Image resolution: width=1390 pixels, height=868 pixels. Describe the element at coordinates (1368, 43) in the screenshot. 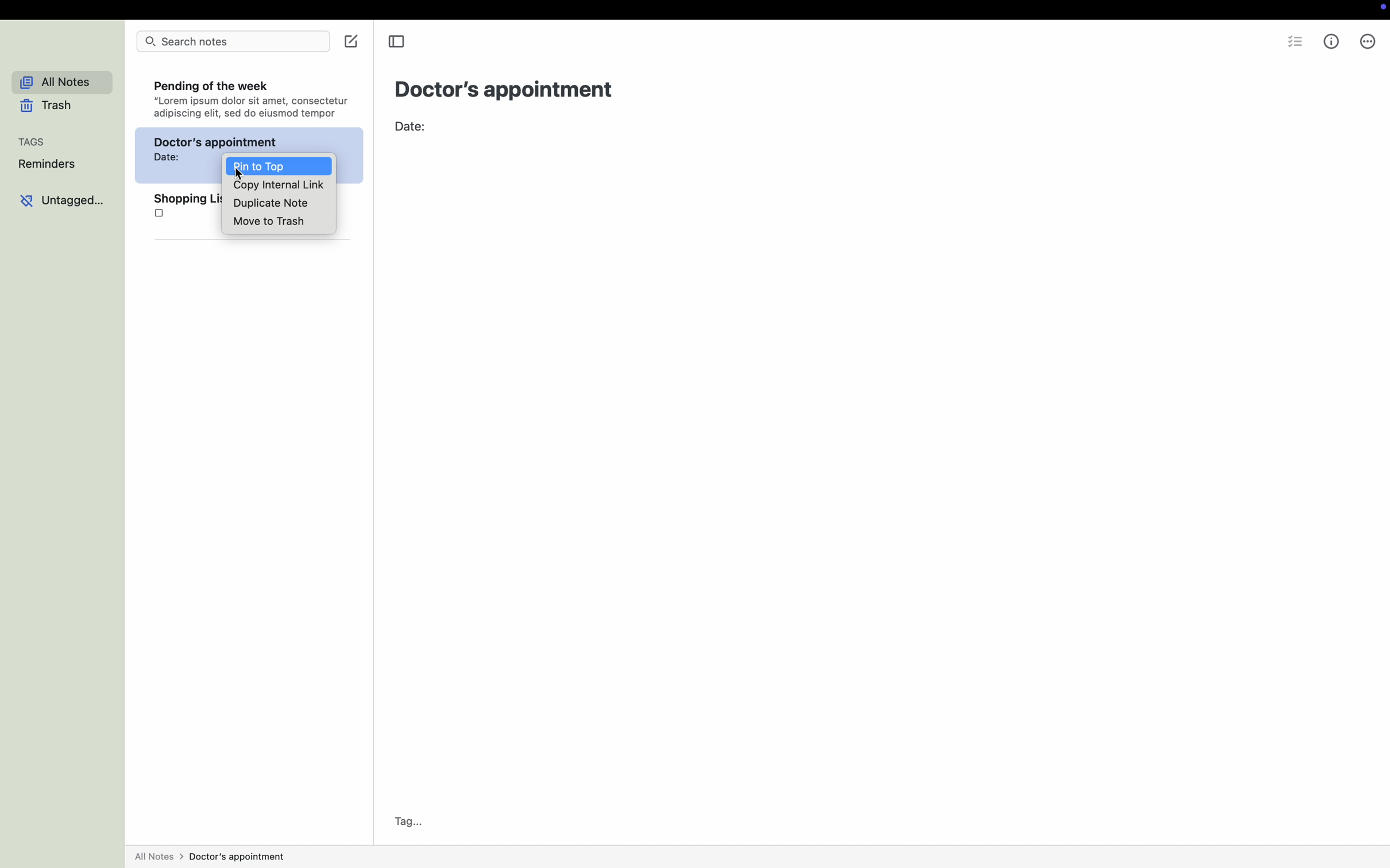

I see `more options` at that location.